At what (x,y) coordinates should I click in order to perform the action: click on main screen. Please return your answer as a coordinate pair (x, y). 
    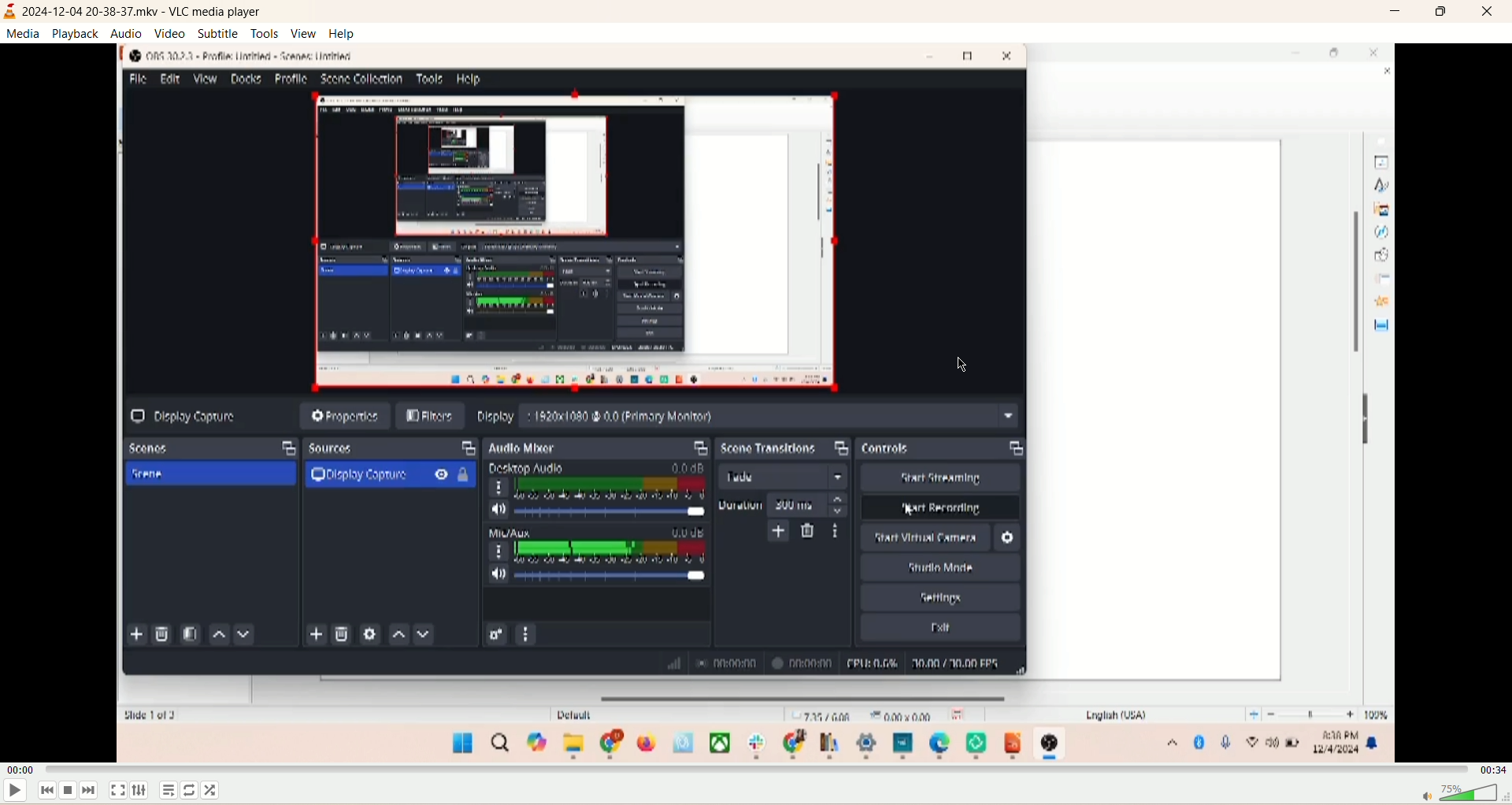
    Looking at the image, I should click on (756, 402).